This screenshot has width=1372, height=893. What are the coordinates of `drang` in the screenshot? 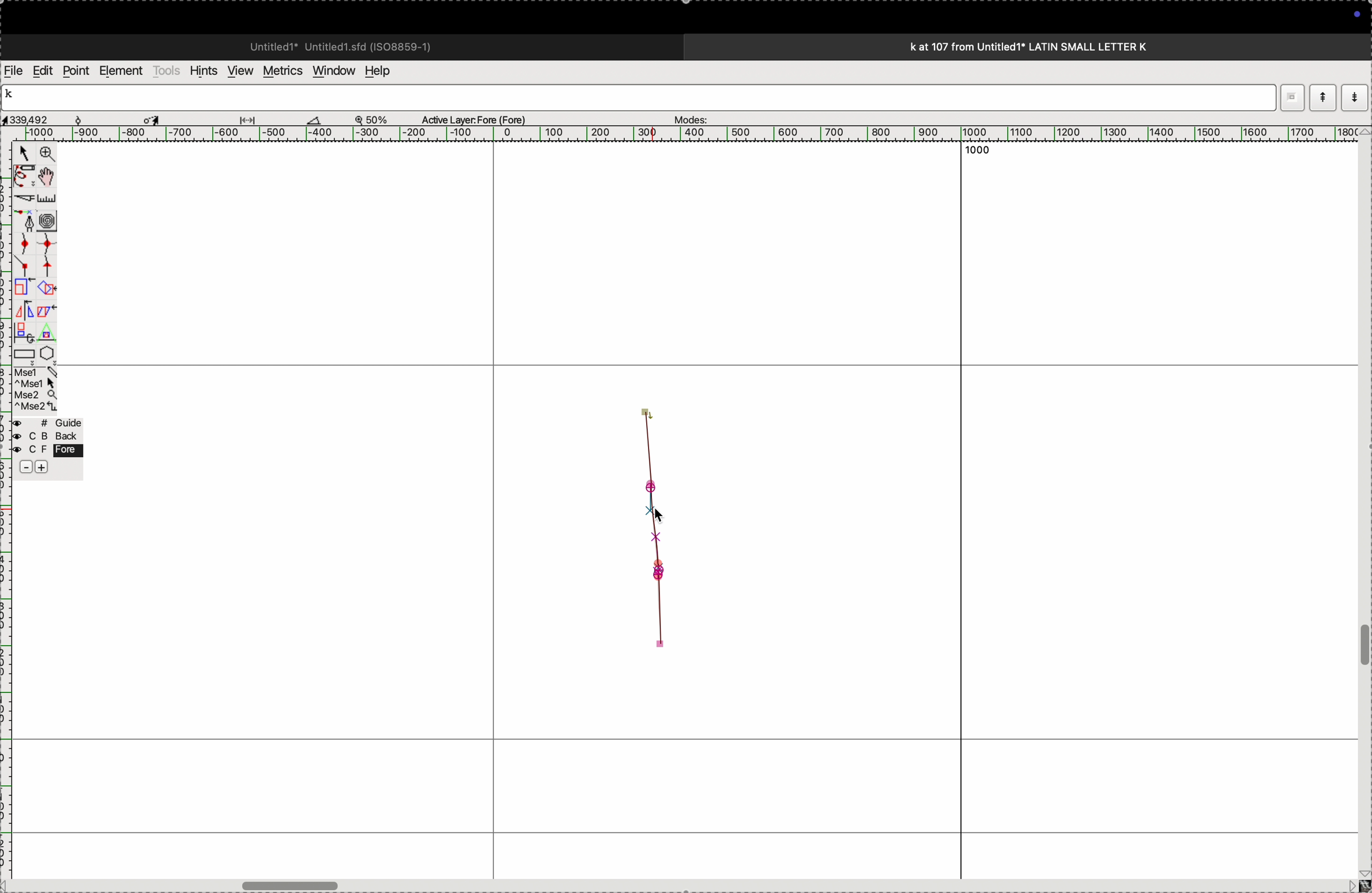 It's located at (254, 118).